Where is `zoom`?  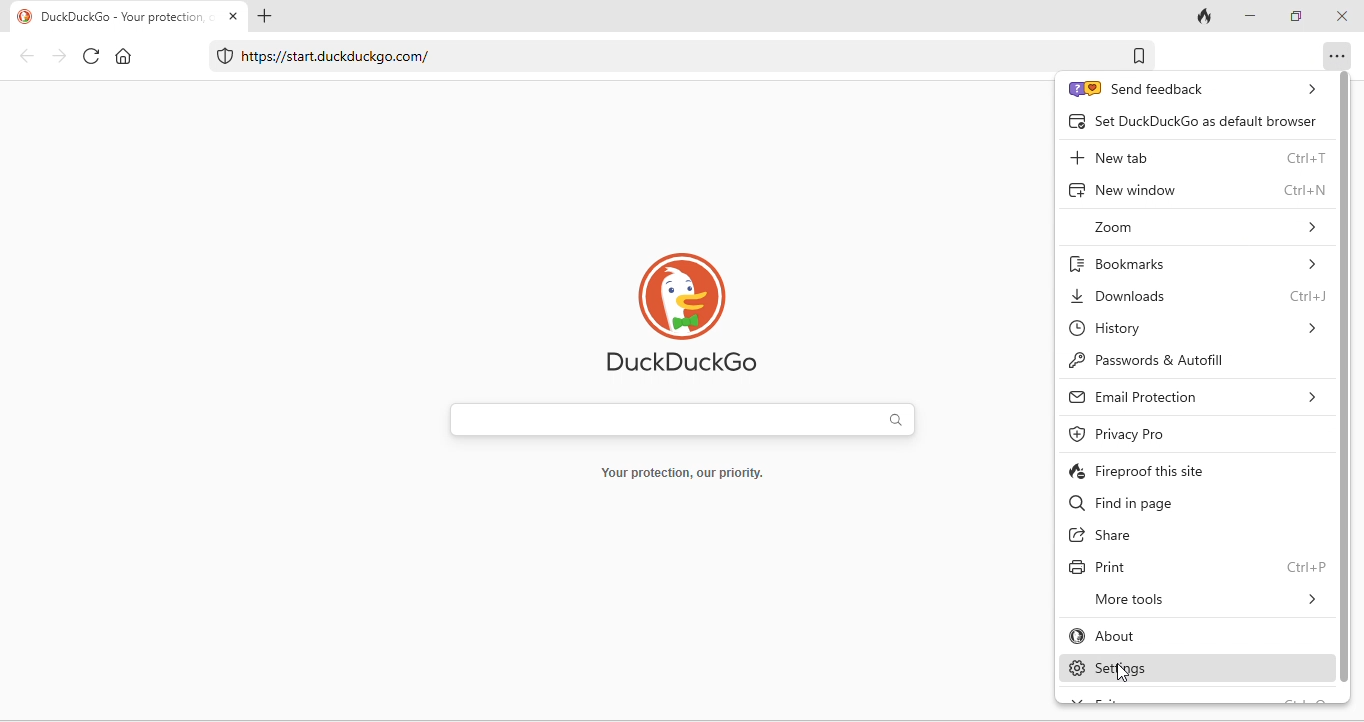
zoom is located at coordinates (1198, 227).